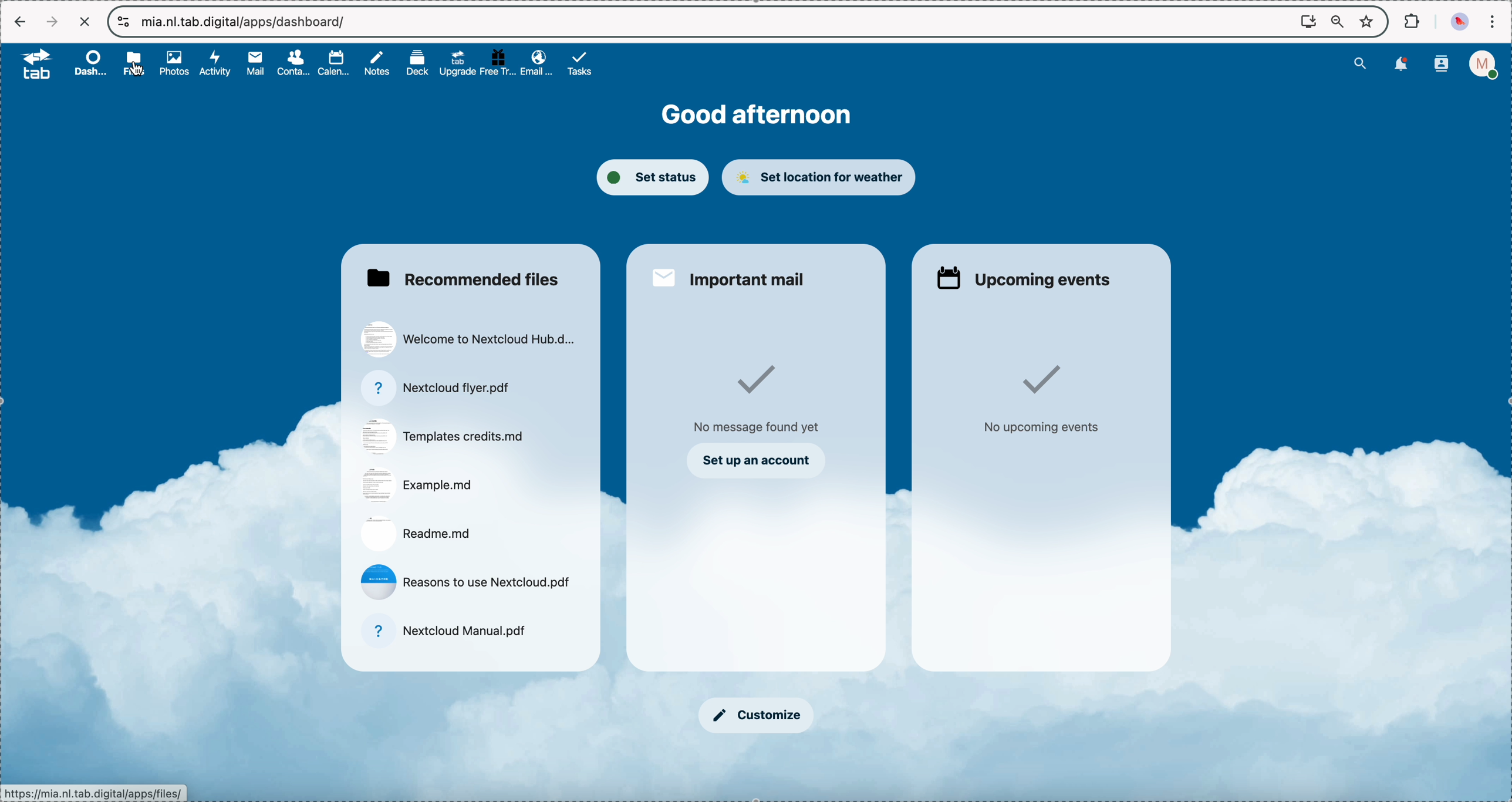  What do you see at coordinates (295, 64) in the screenshot?
I see `contacts` at bounding box center [295, 64].